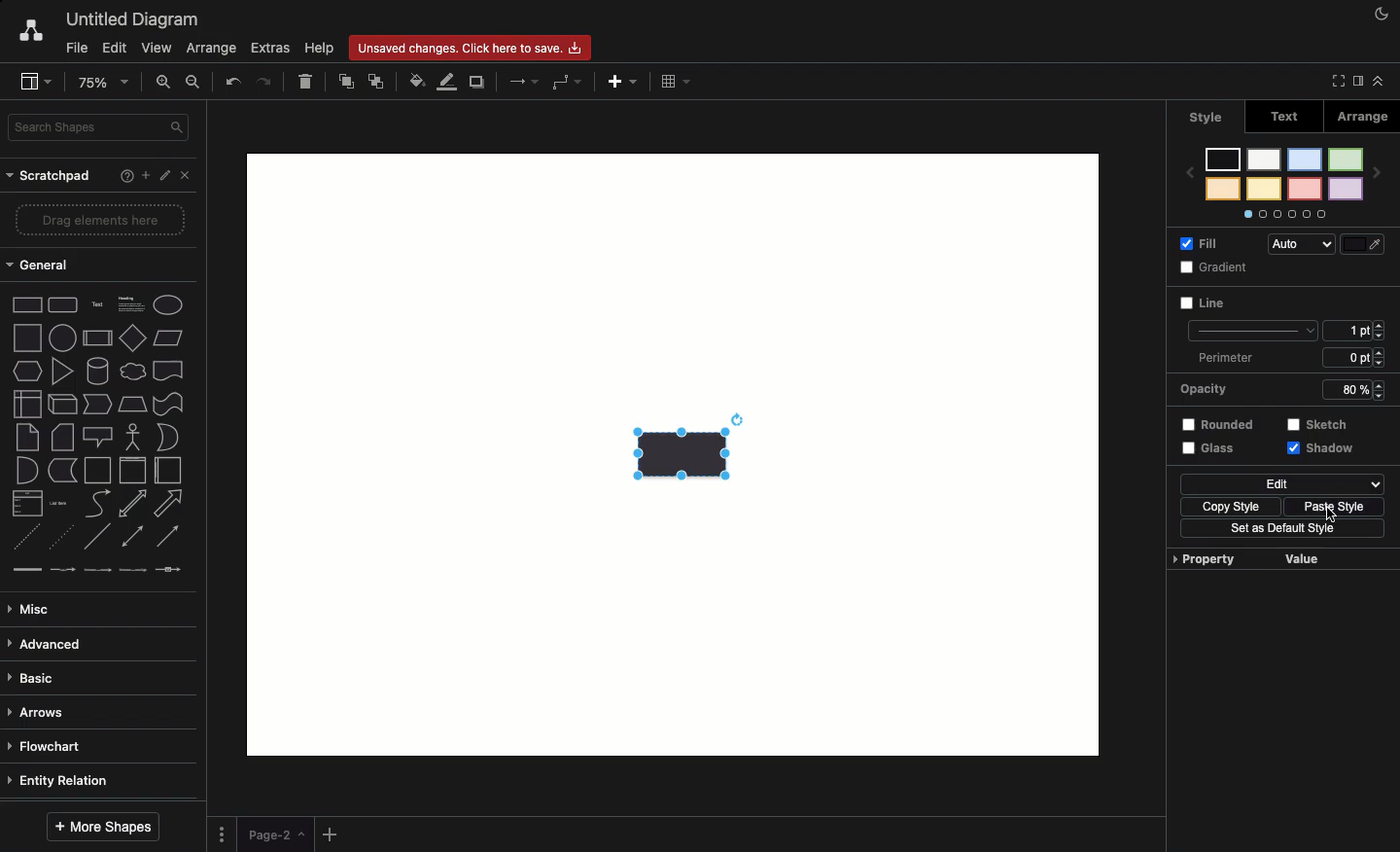  I want to click on dotted line, so click(61, 538).